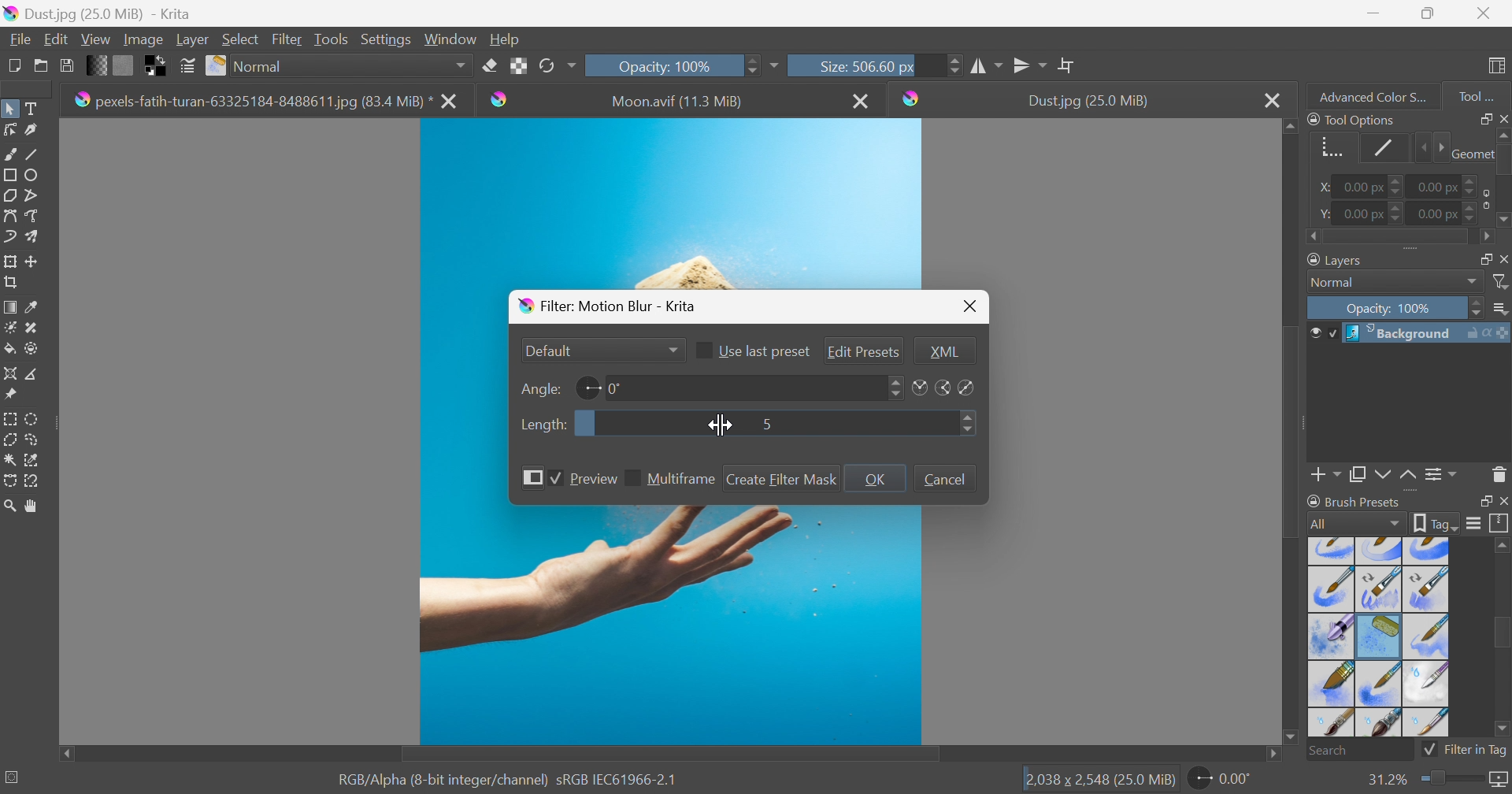 The height and width of the screenshot is (794, 1512). What do you see at coordinates (969, 424) in the screenshot?
I see `Slider` at bounding box center [969, 424].